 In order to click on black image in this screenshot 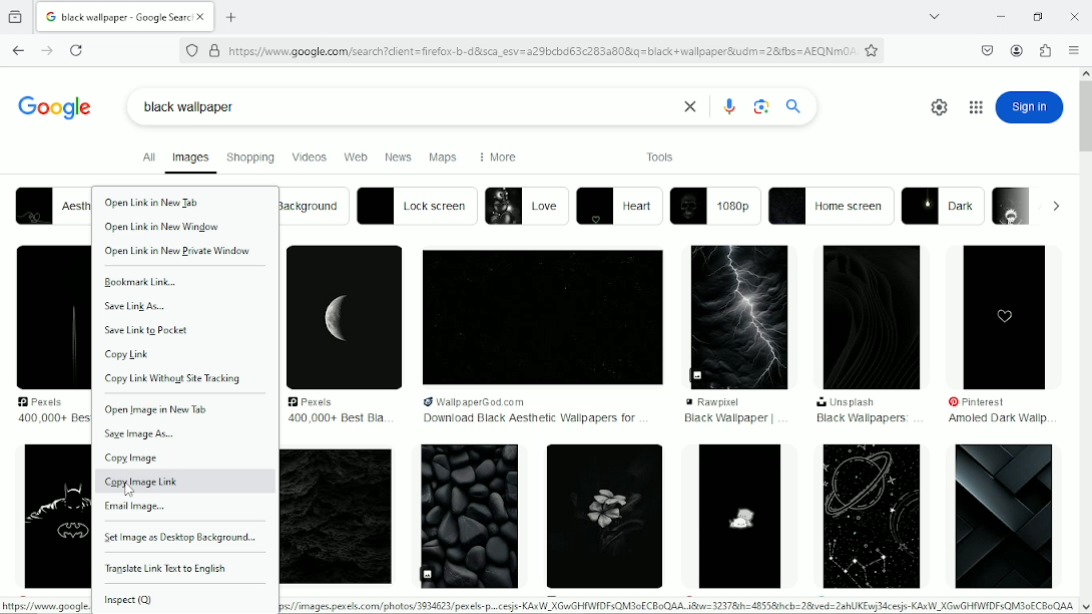, I will do `click(873, 318)`.